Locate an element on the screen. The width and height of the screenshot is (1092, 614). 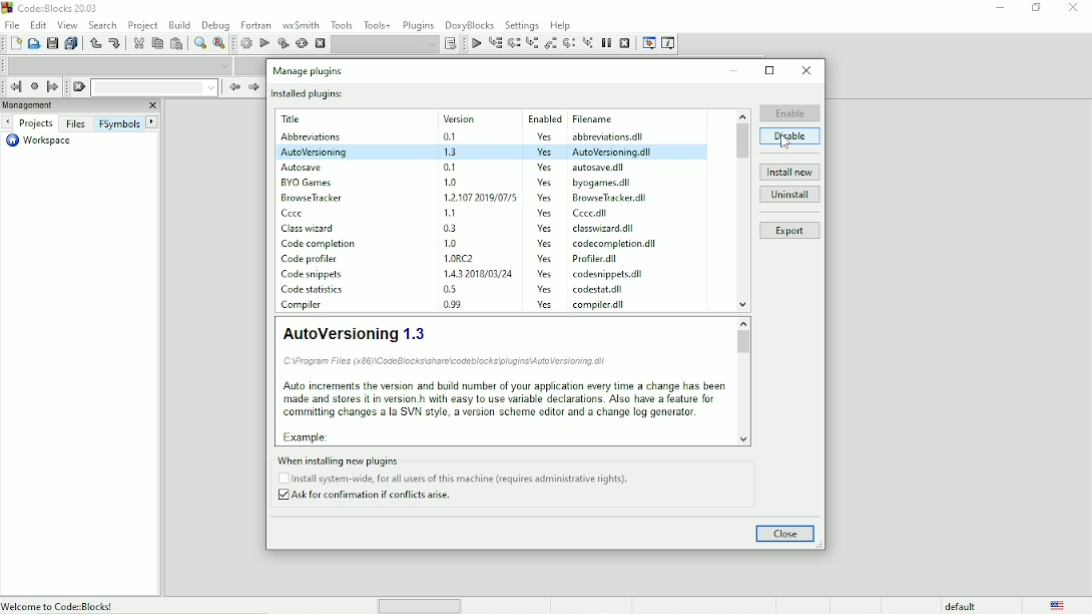
AutoVersioning.dll is located at coordinates (613, 152).